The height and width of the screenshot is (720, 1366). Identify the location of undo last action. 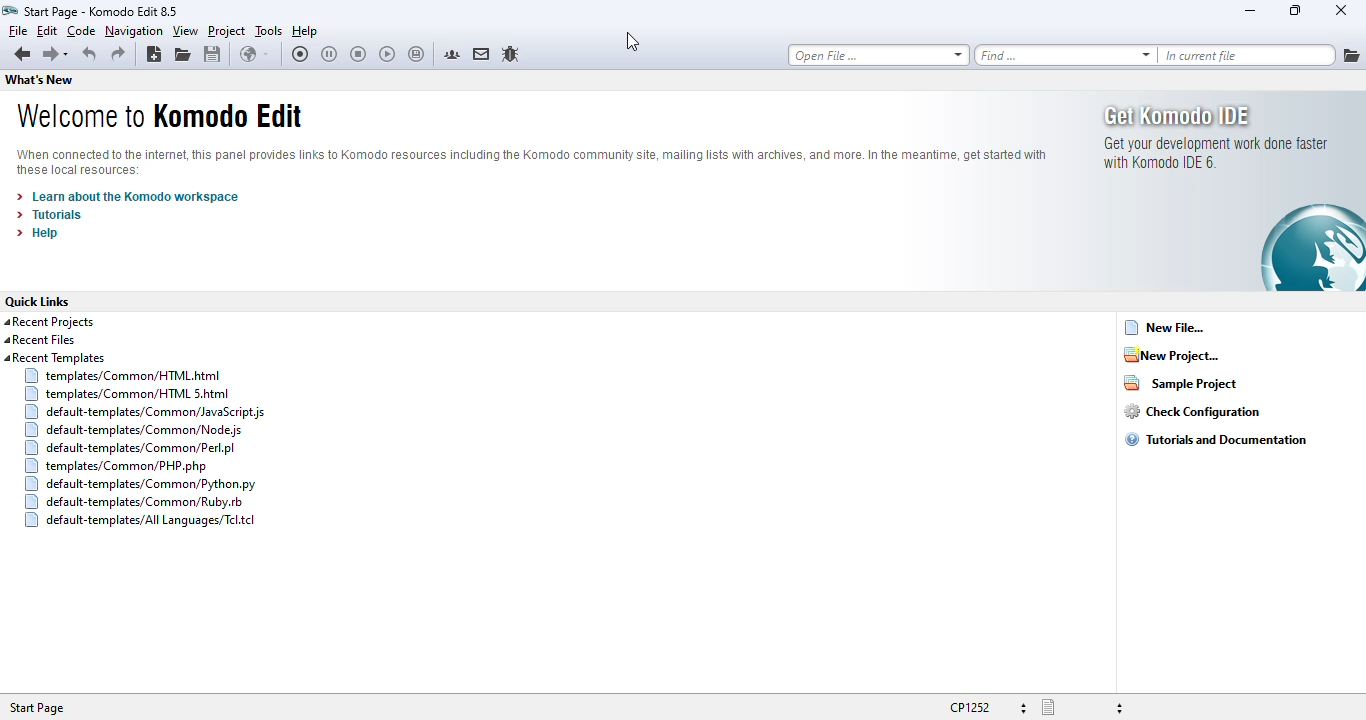
(91, 54).